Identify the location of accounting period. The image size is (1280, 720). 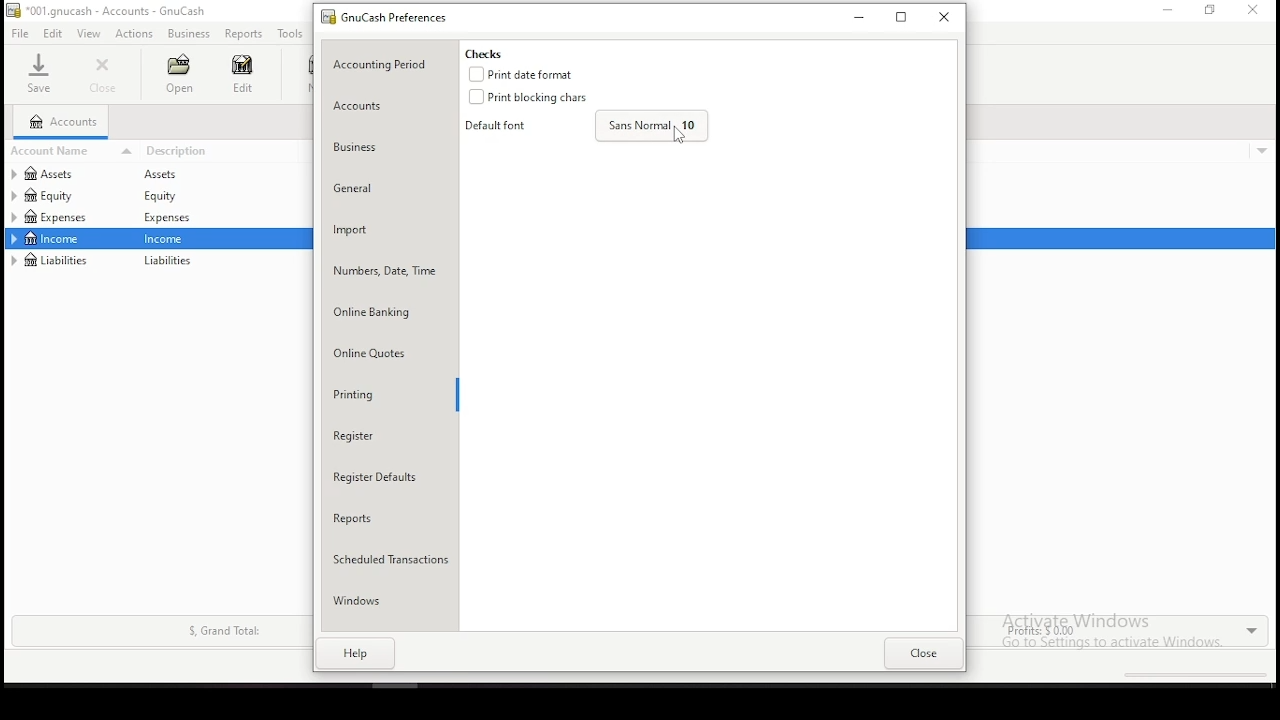
(385, 63).